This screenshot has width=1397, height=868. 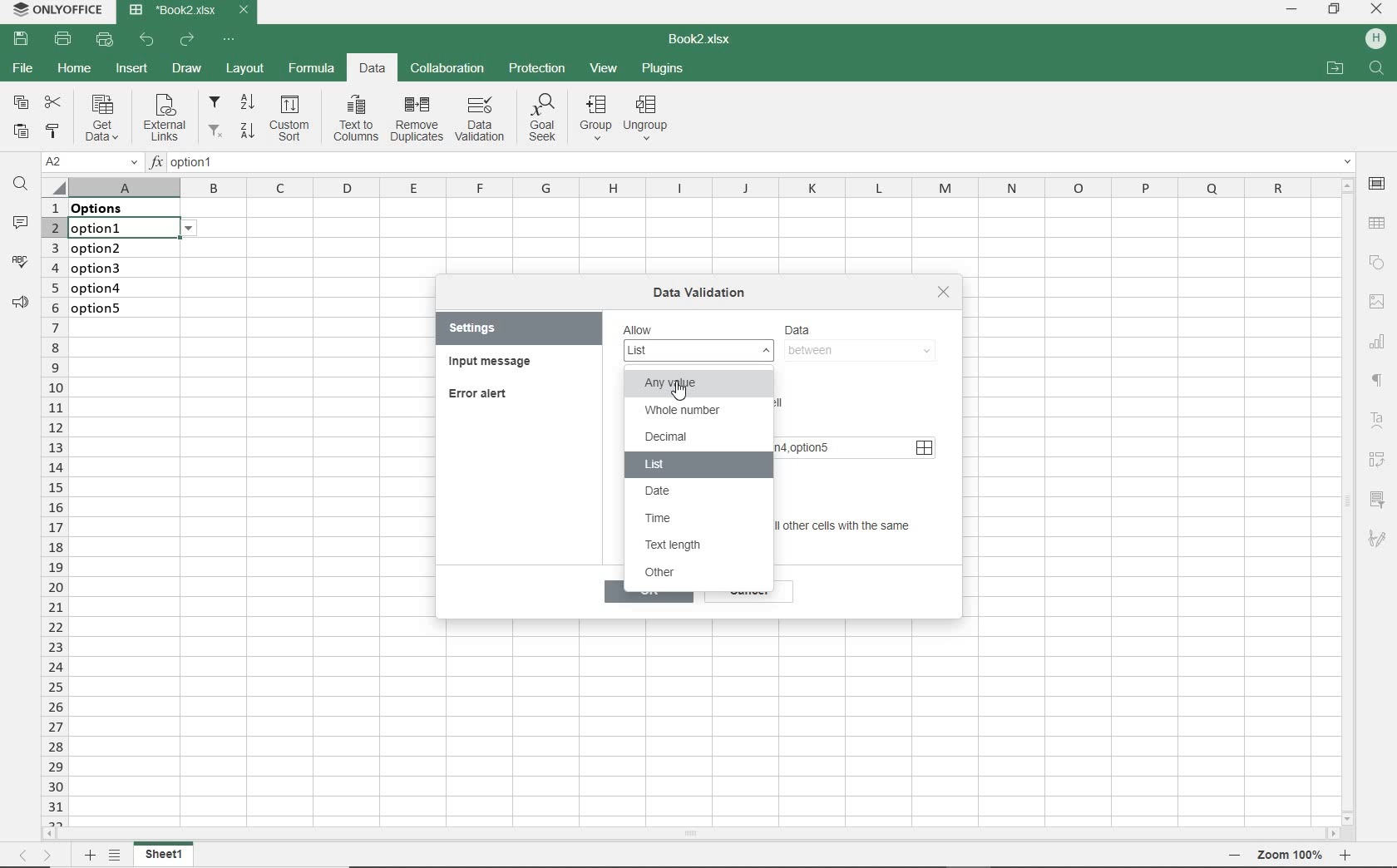 I want to click on ERROR ALERT, so click(x=481, y=395).